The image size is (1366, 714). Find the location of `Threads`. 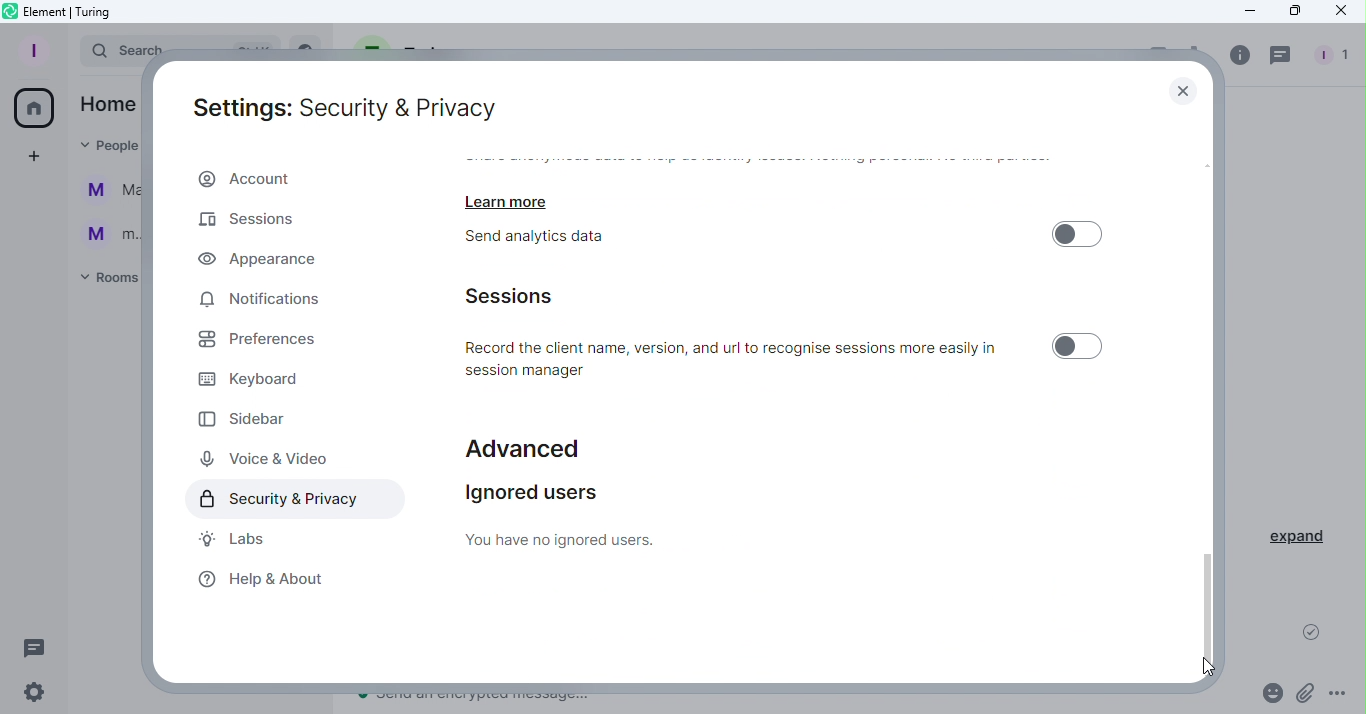

Threads is located at coordinates (1280, 54).